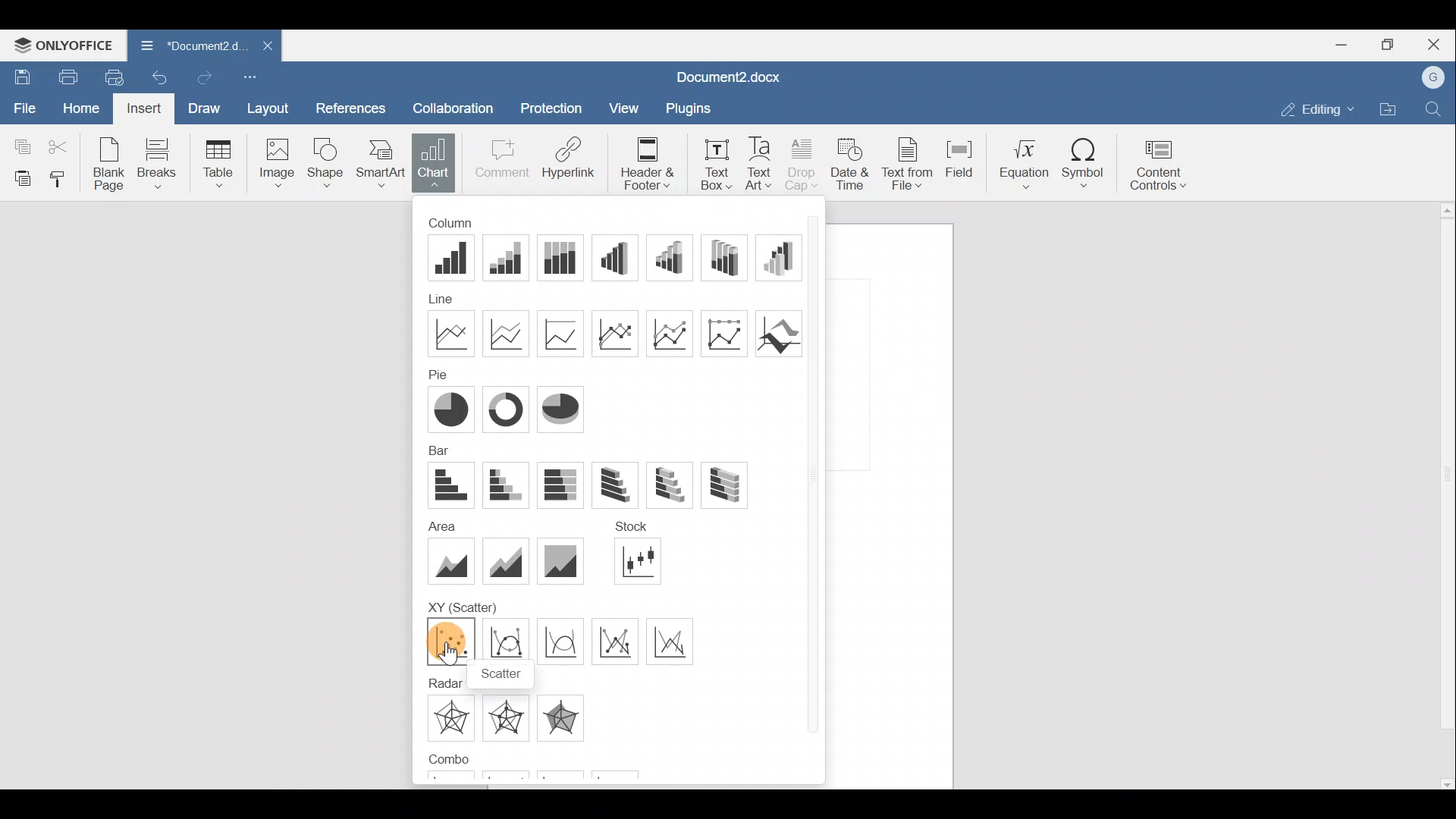 The width and height of the screenshot is (1456, 819). Describe the element at coordinates (220, 162) in the screenshot. I see `Table` at that location.